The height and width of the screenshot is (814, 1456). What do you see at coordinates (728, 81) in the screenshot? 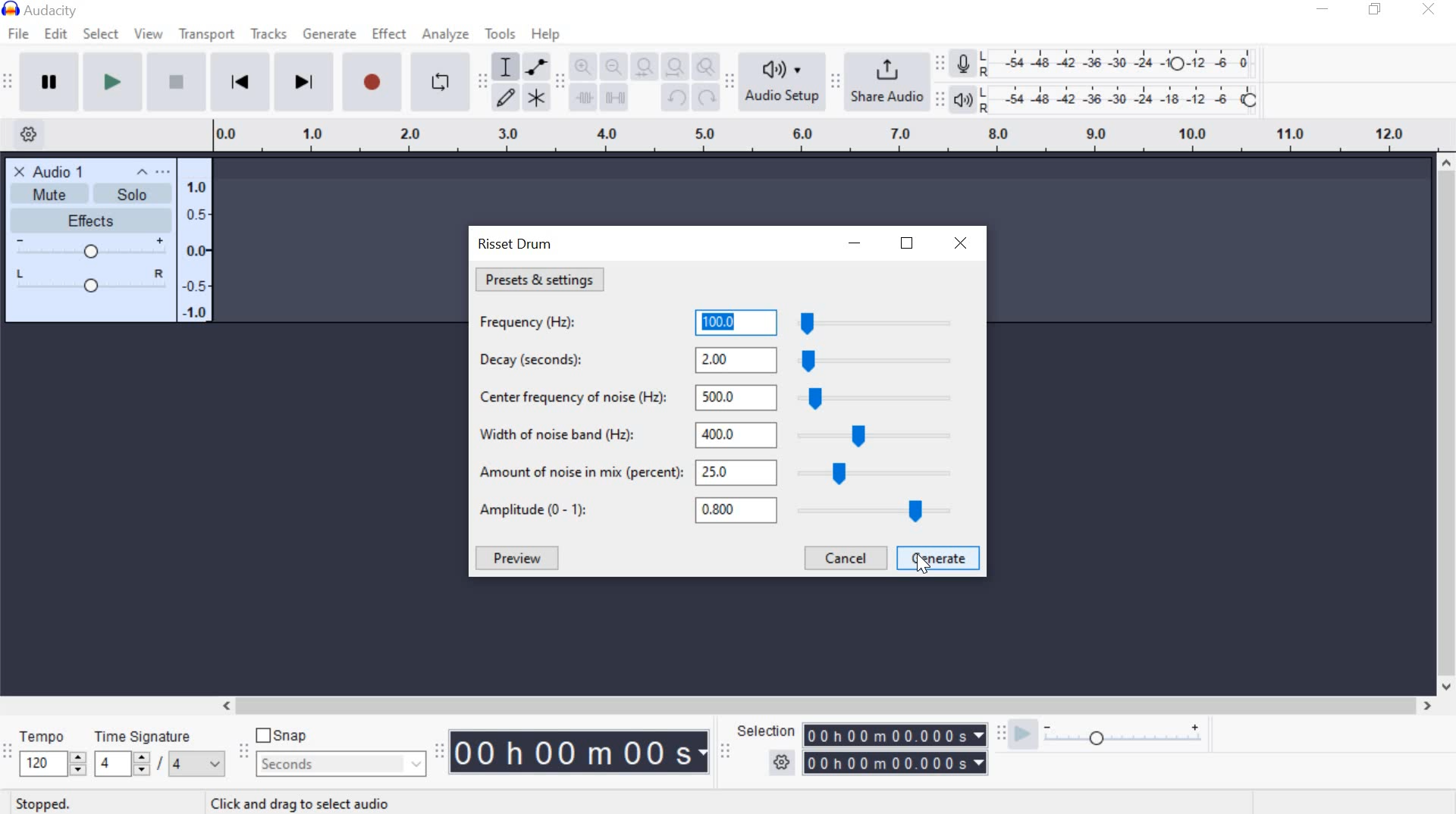
I see `Audio setup toolbar` at bounding box center [728, 81].